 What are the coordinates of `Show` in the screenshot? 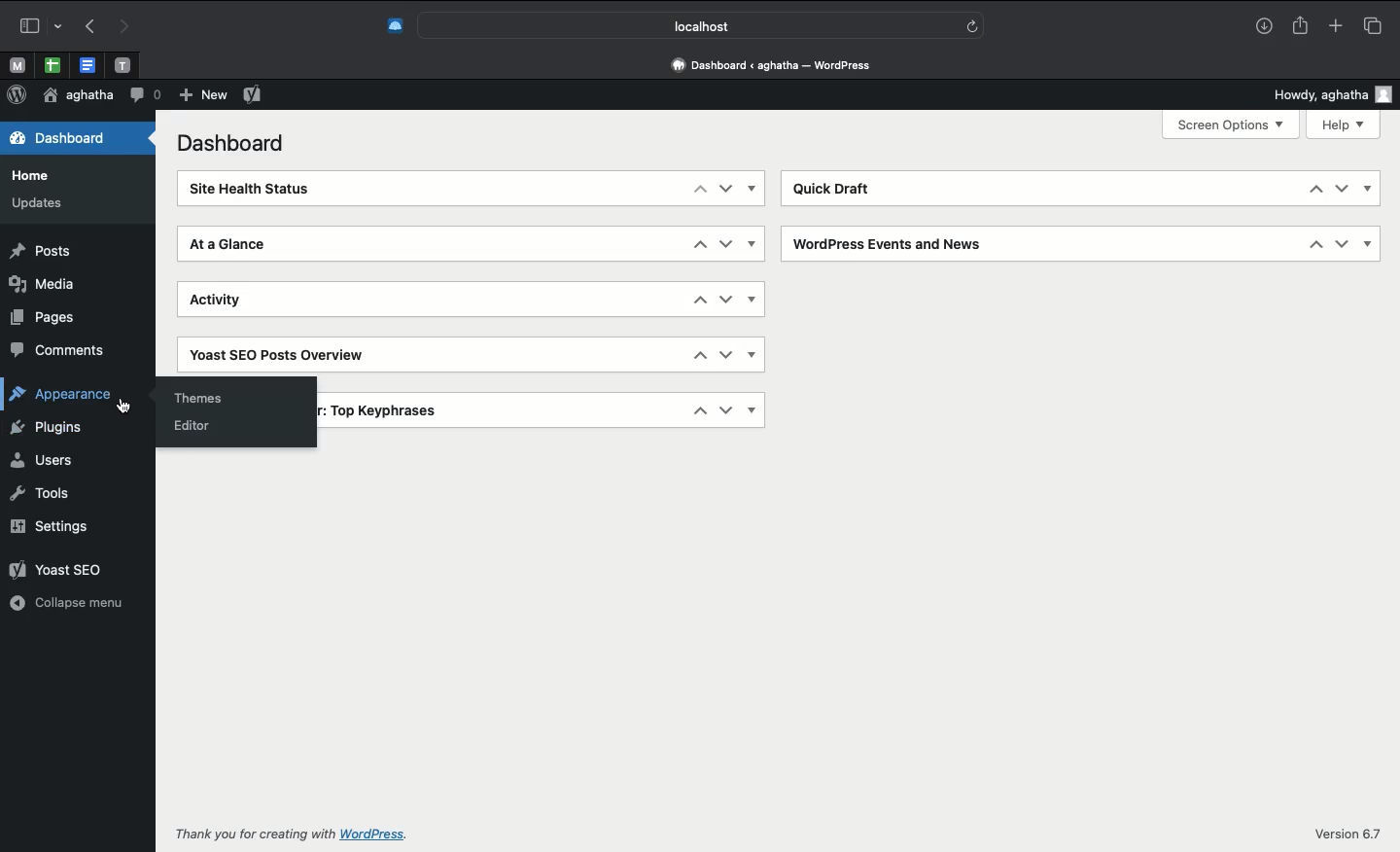 It's located at (1369, 190).